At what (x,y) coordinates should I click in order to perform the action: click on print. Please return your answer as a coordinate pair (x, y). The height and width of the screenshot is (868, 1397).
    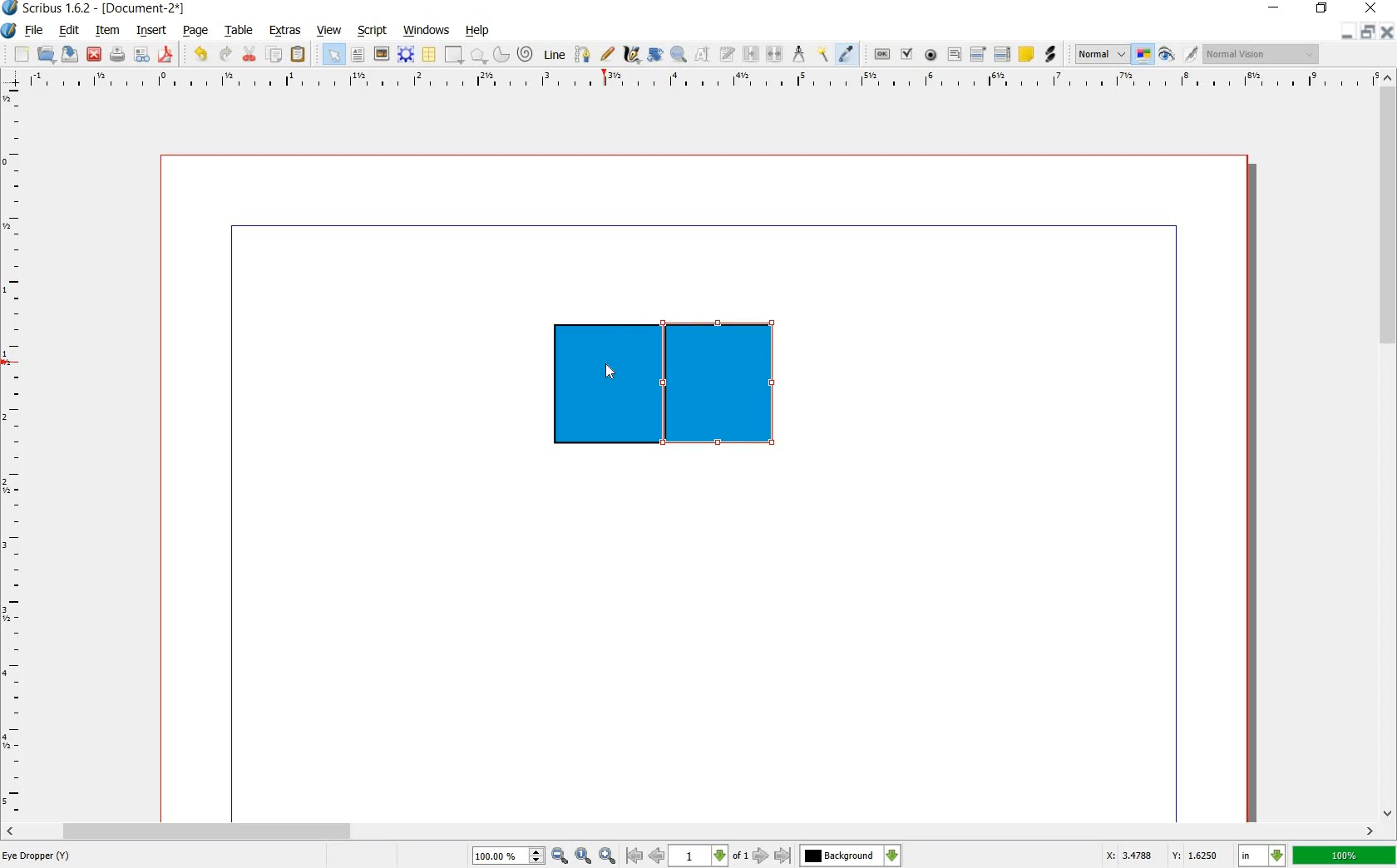
    Looking at the image, I should click on (118, 55).